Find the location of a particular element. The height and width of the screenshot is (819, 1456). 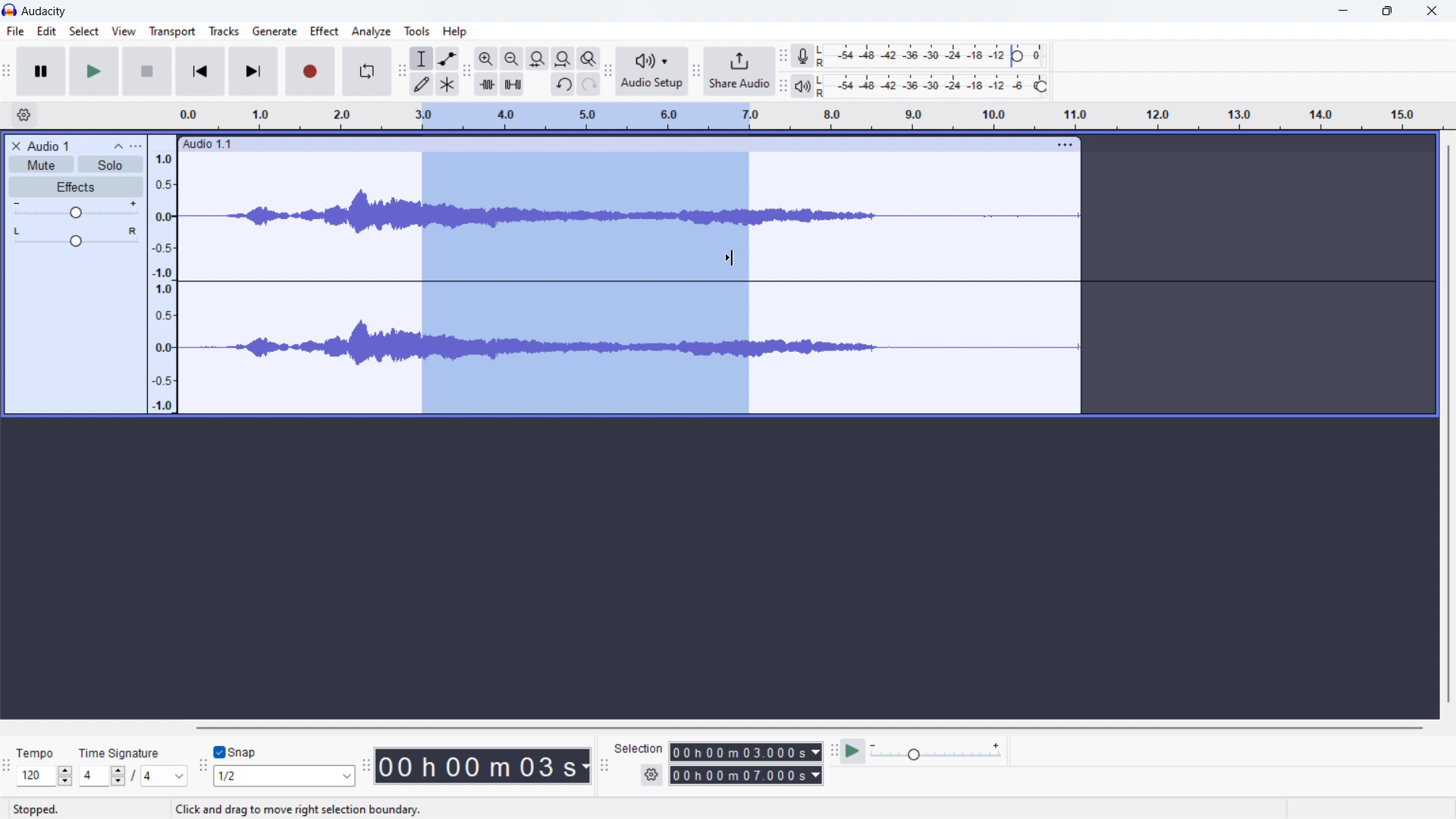

toggle snap is located at coordinates (237, 752).